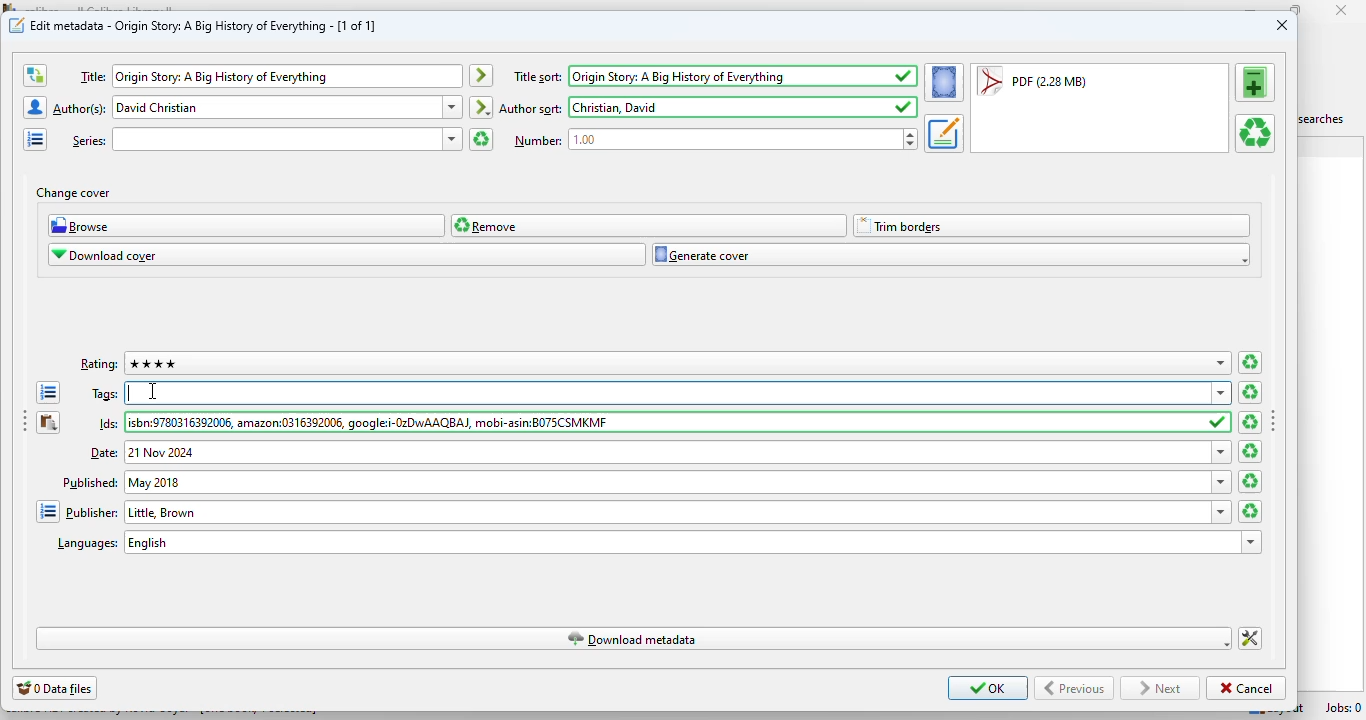  Describe the element at coordinates (1254, 82) in the screenshot. I see `add a format to this book` at that location.